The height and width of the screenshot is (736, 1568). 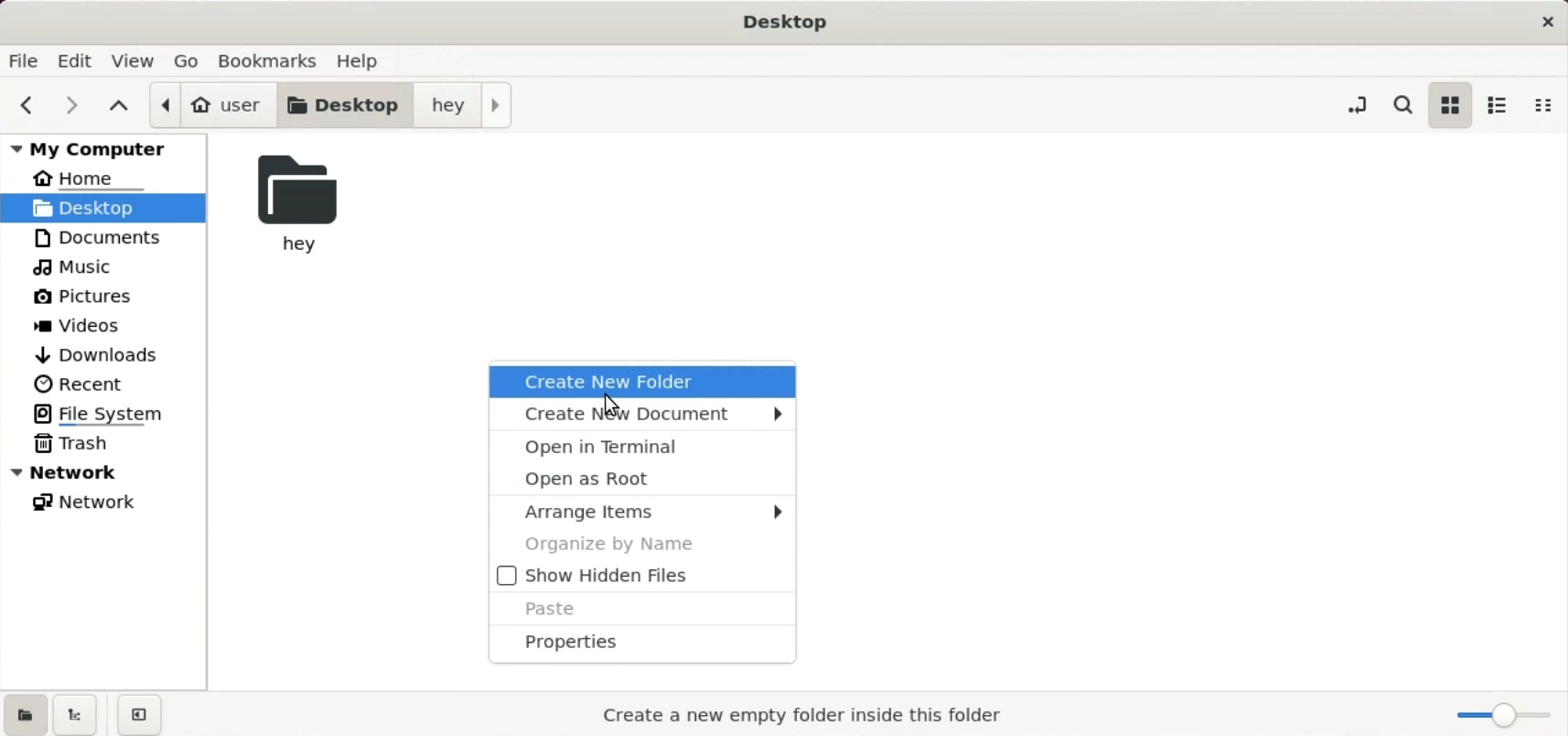 I want to click on close, so click(x=1546, y=23).